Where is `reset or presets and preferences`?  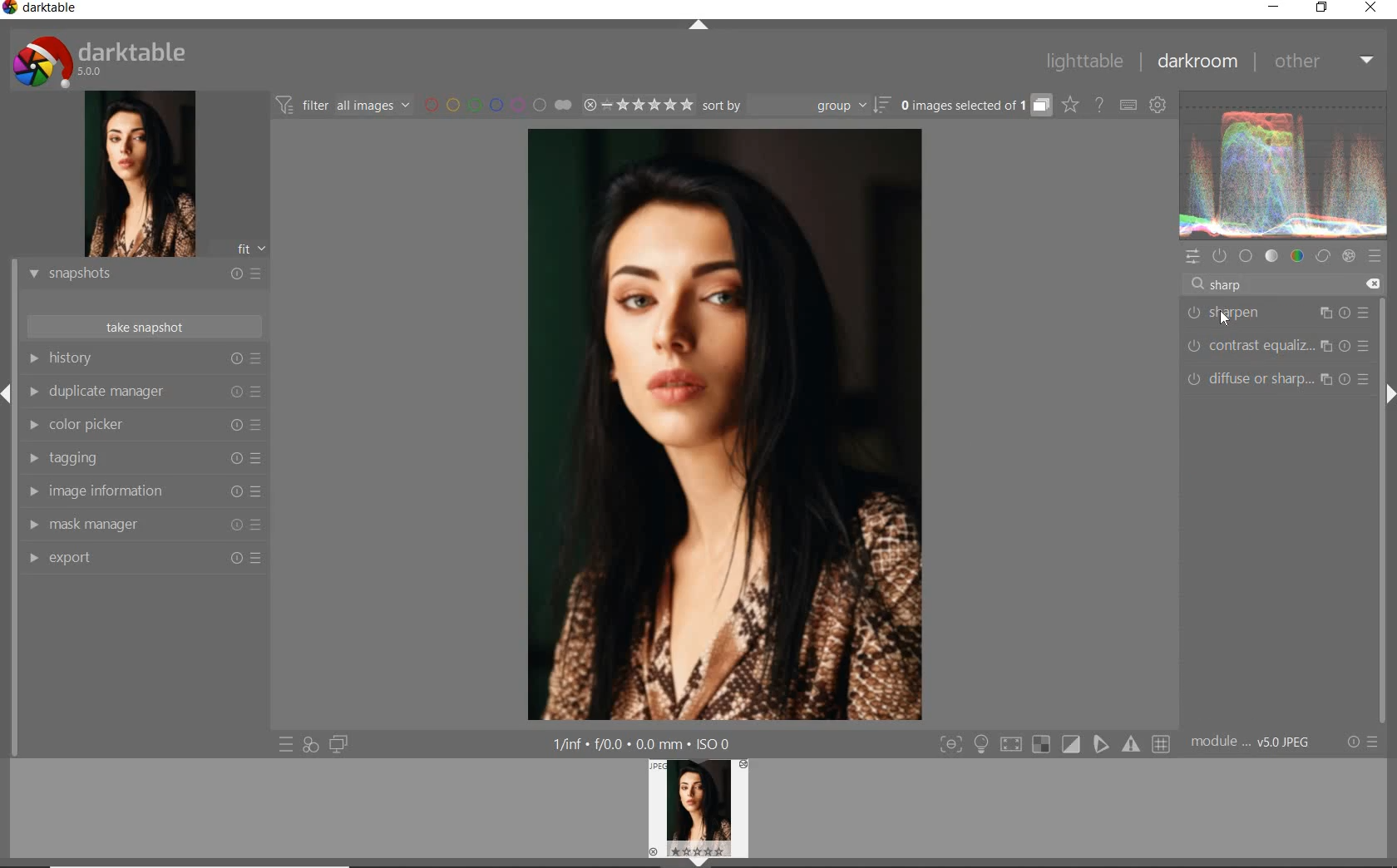
reset or presets and preferences is located at coordinates (1363, 742).